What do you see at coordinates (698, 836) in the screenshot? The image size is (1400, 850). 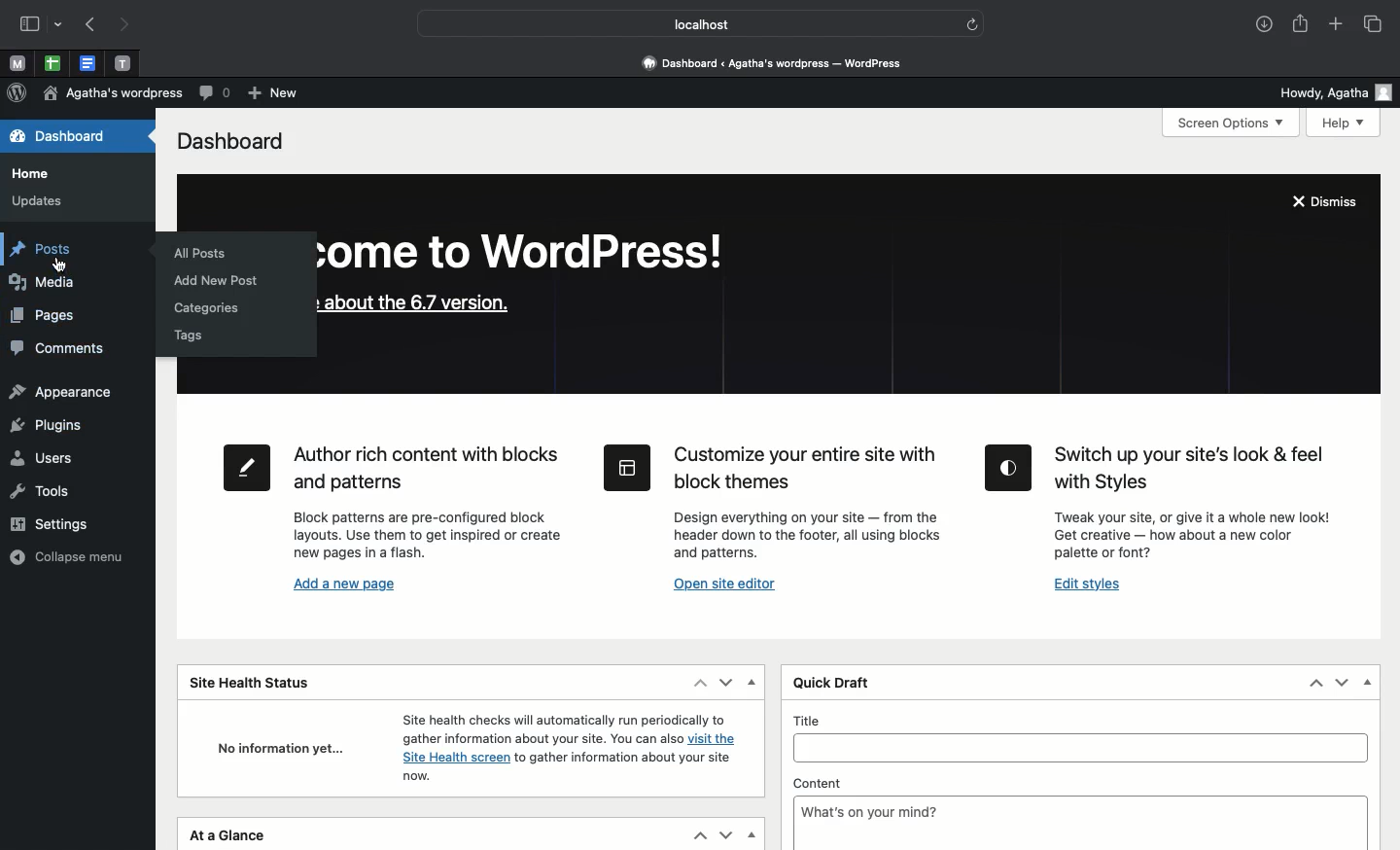 I see `Up` at bounding box center [698, 836].